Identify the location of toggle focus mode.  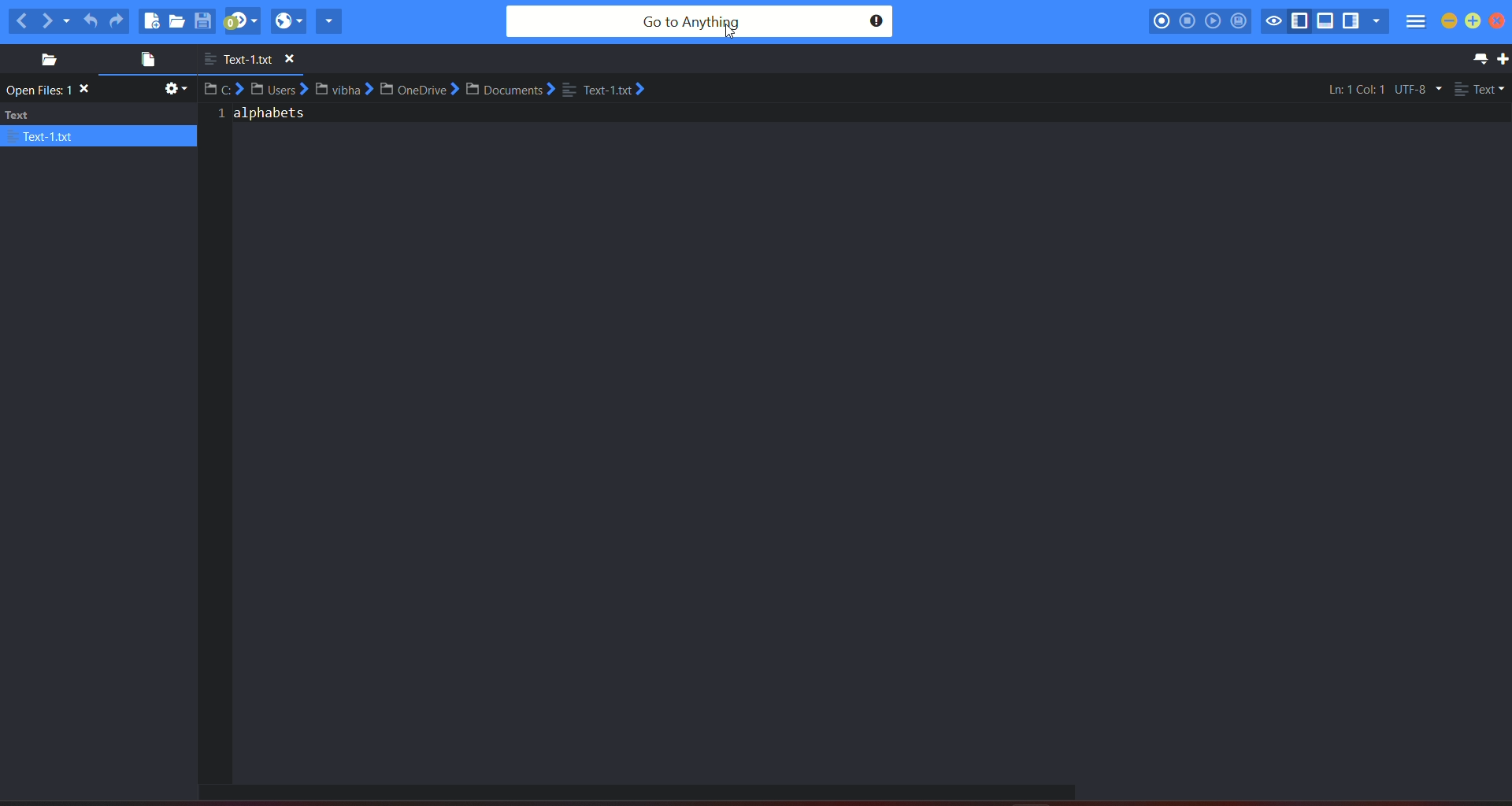
(1274, 20).